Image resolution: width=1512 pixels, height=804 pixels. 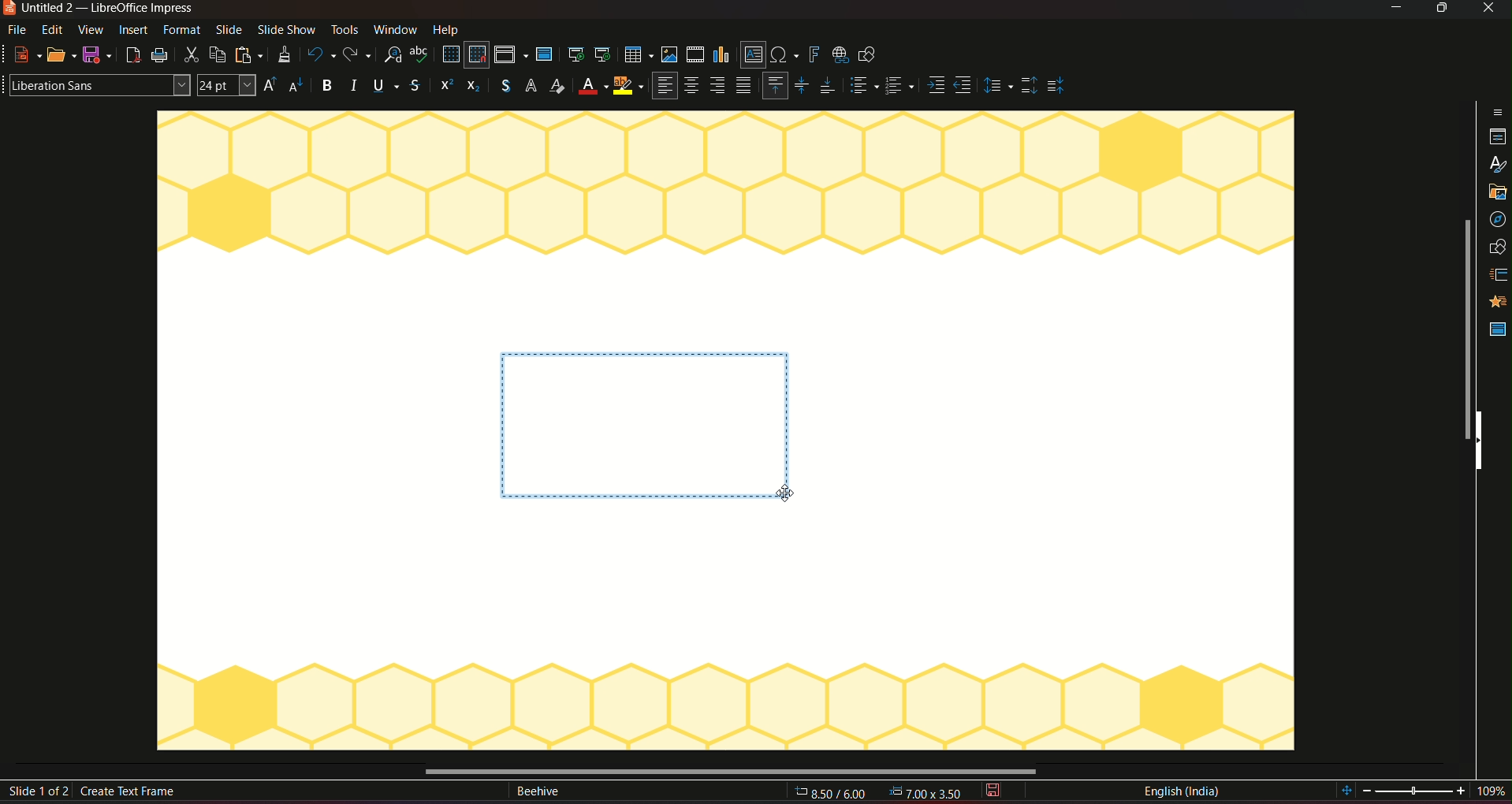 What do you see at coordinates (1057, 441) in the screenshot?
I see `workspace` at bounding box center [1057, 441].